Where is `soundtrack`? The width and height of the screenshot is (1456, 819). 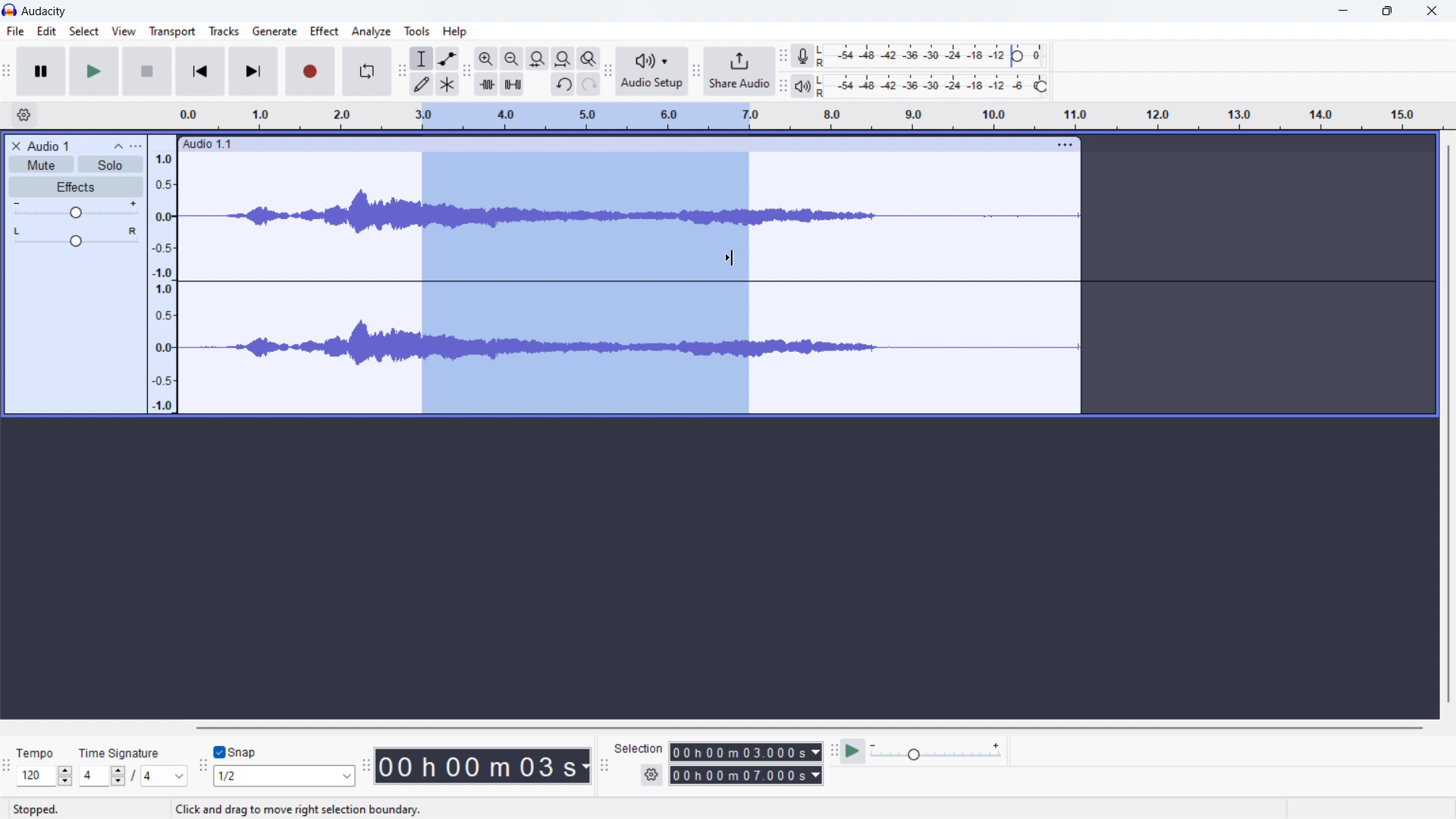 soundtrack is located at coordinates (290, 288).